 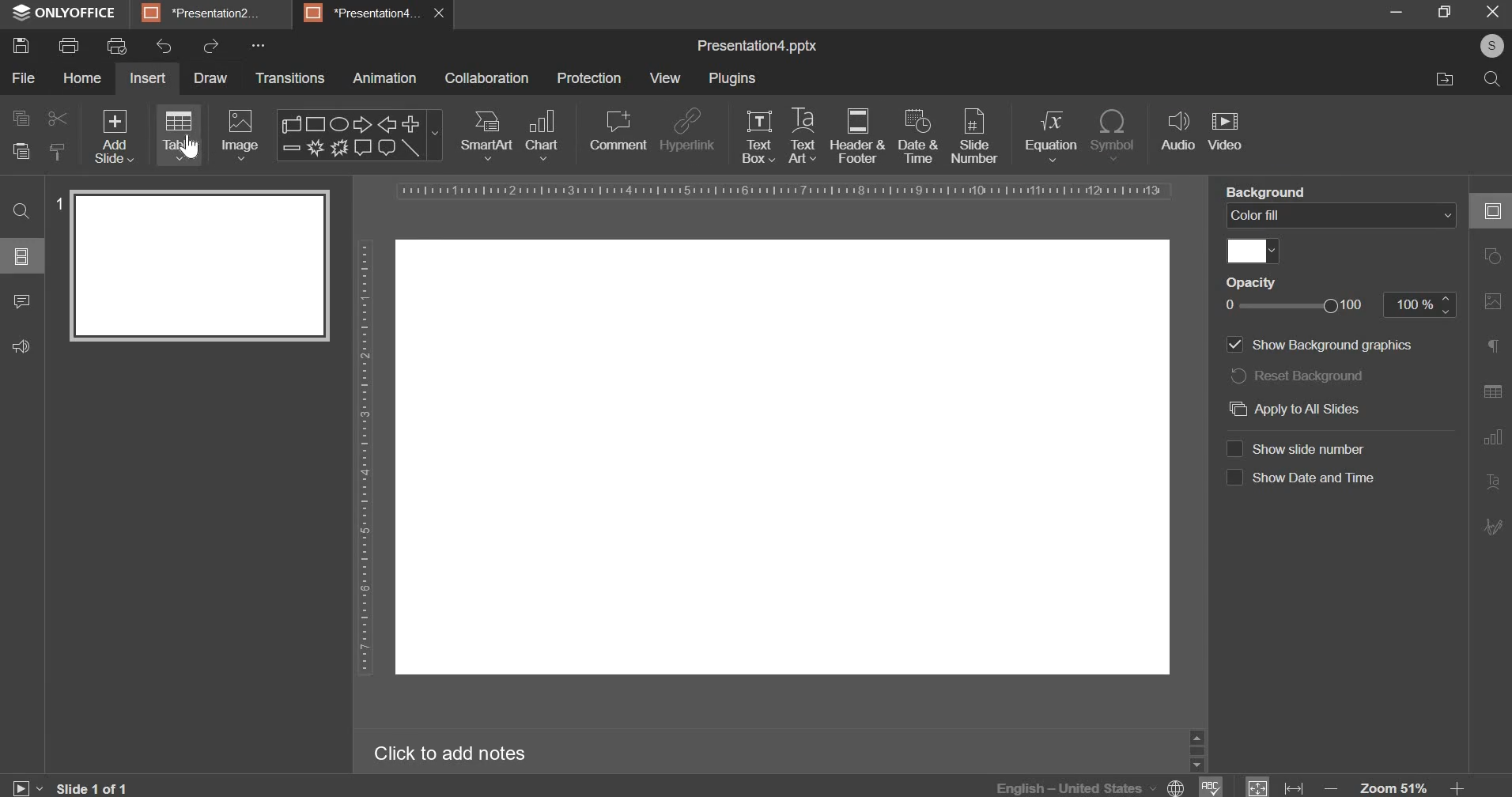 I want to click on copy style, so click(x=62, y=150).